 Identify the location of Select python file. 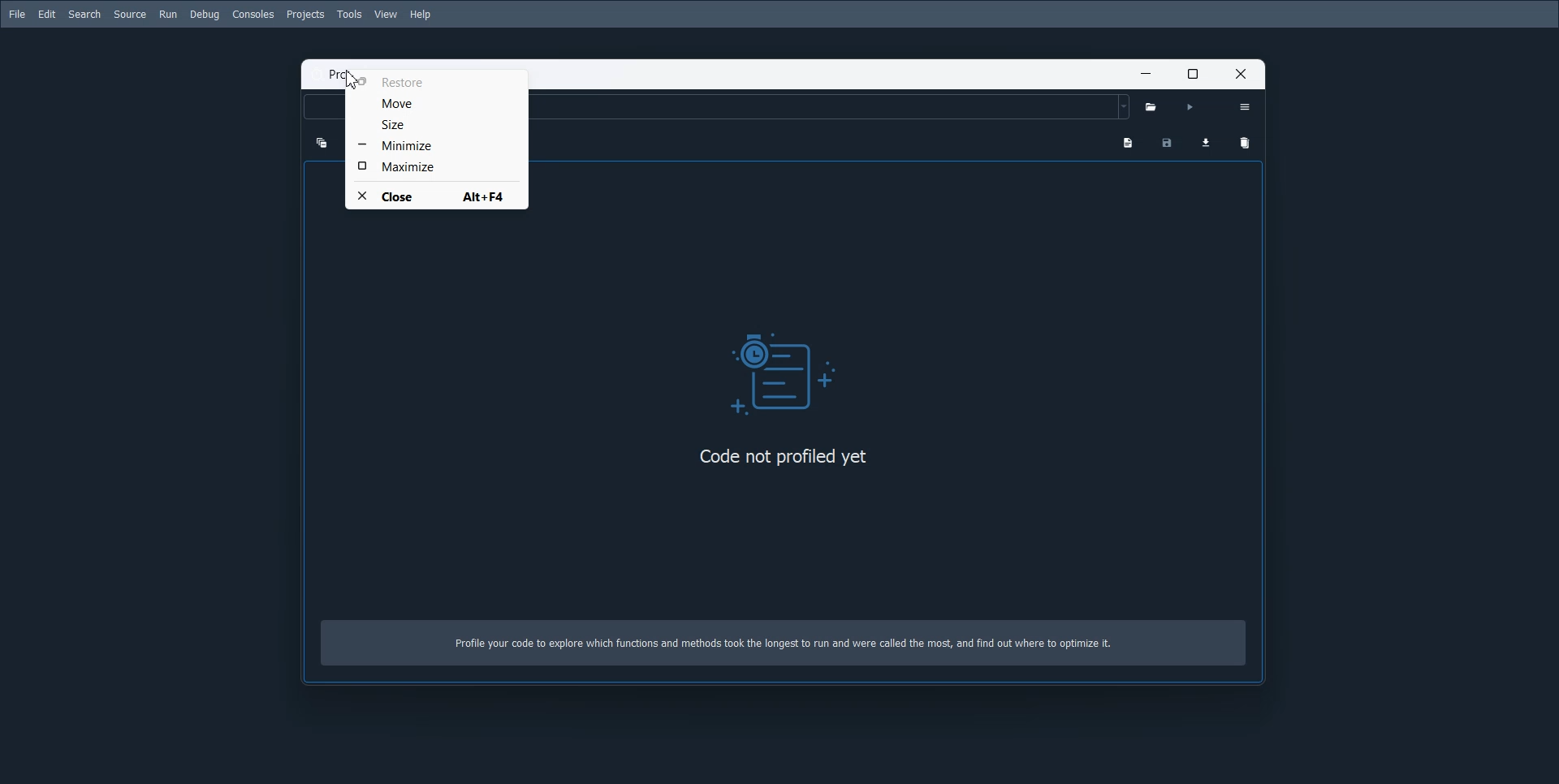
(1154, 108).